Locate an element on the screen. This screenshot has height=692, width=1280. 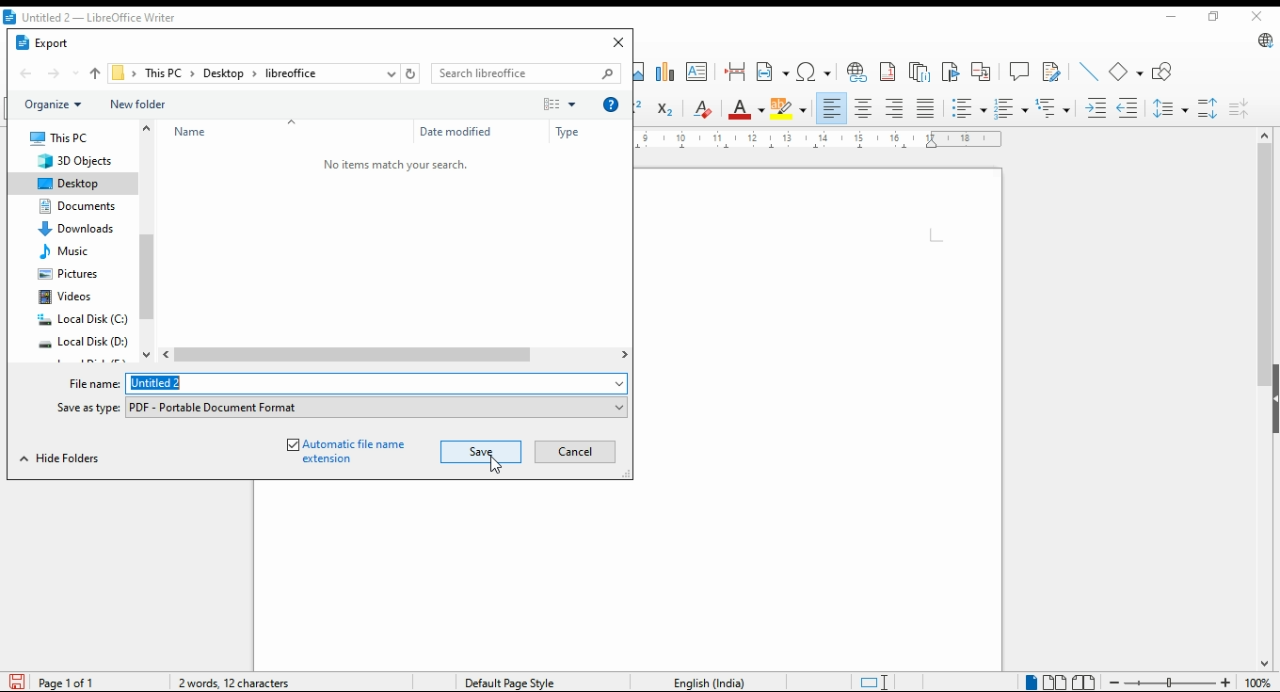
3D objects is located at coordinates (75, 161).